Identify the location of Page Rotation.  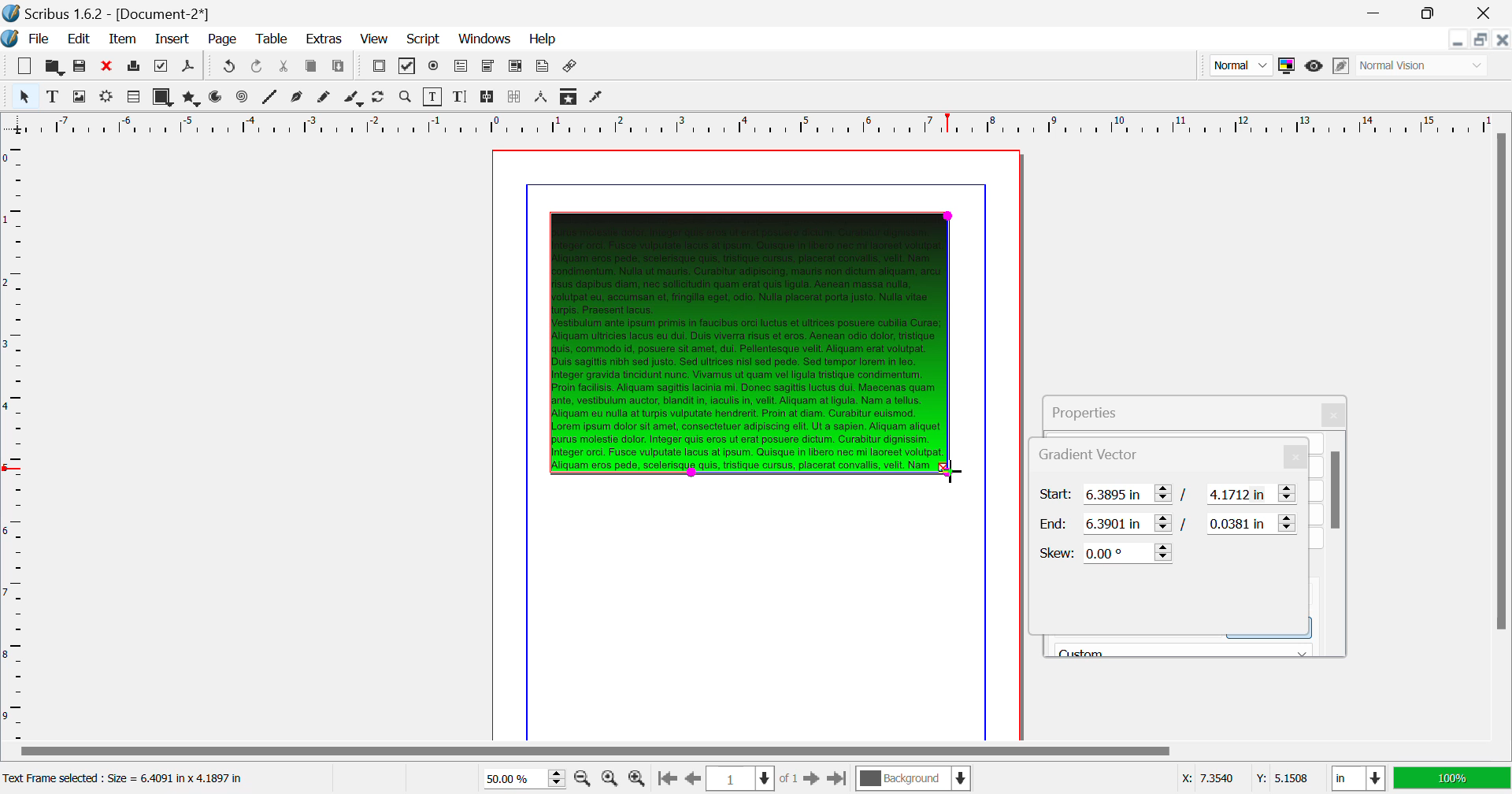
(382, 98).